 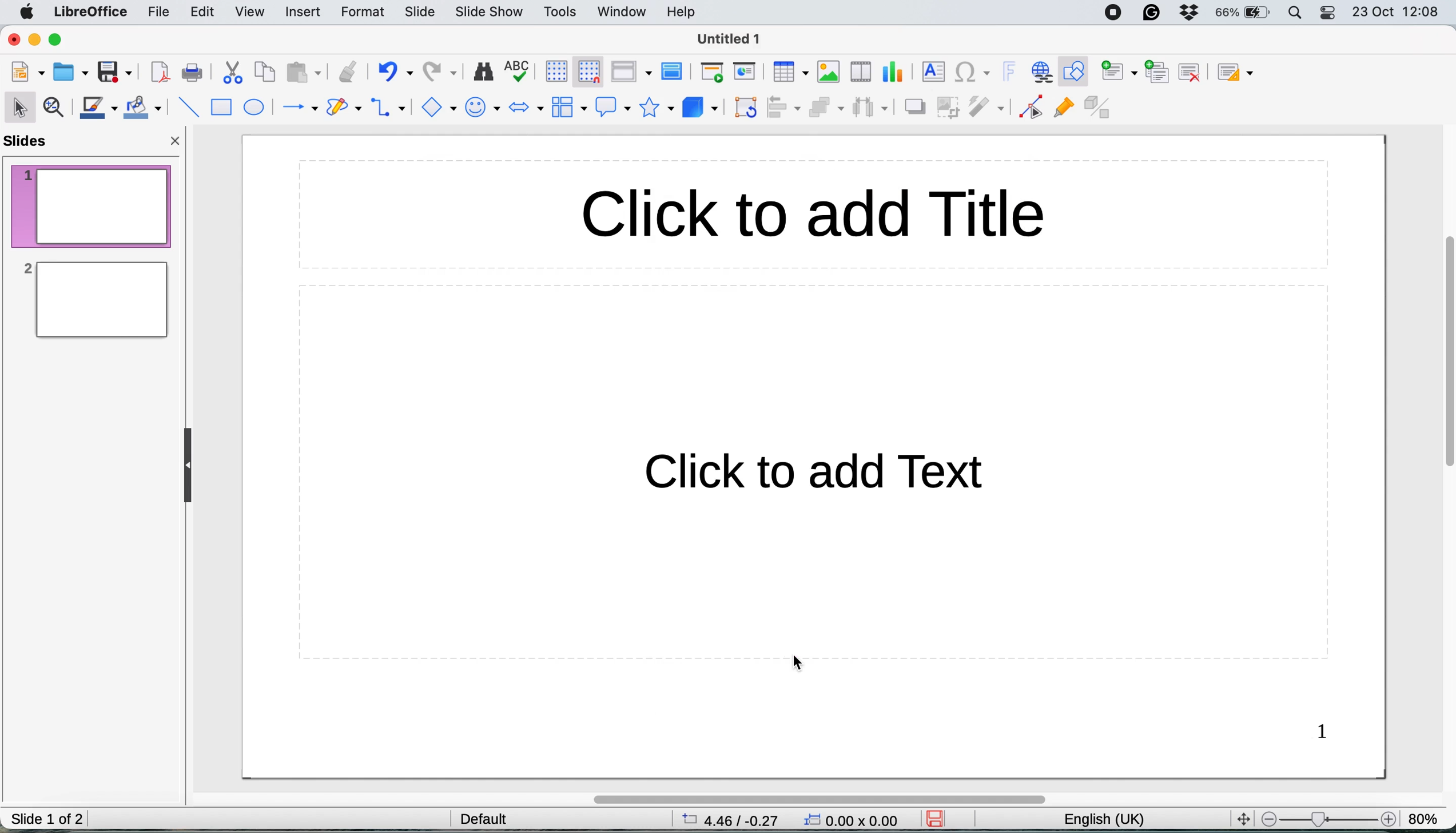 I want to click on maximise, so click(x=61, y=41).